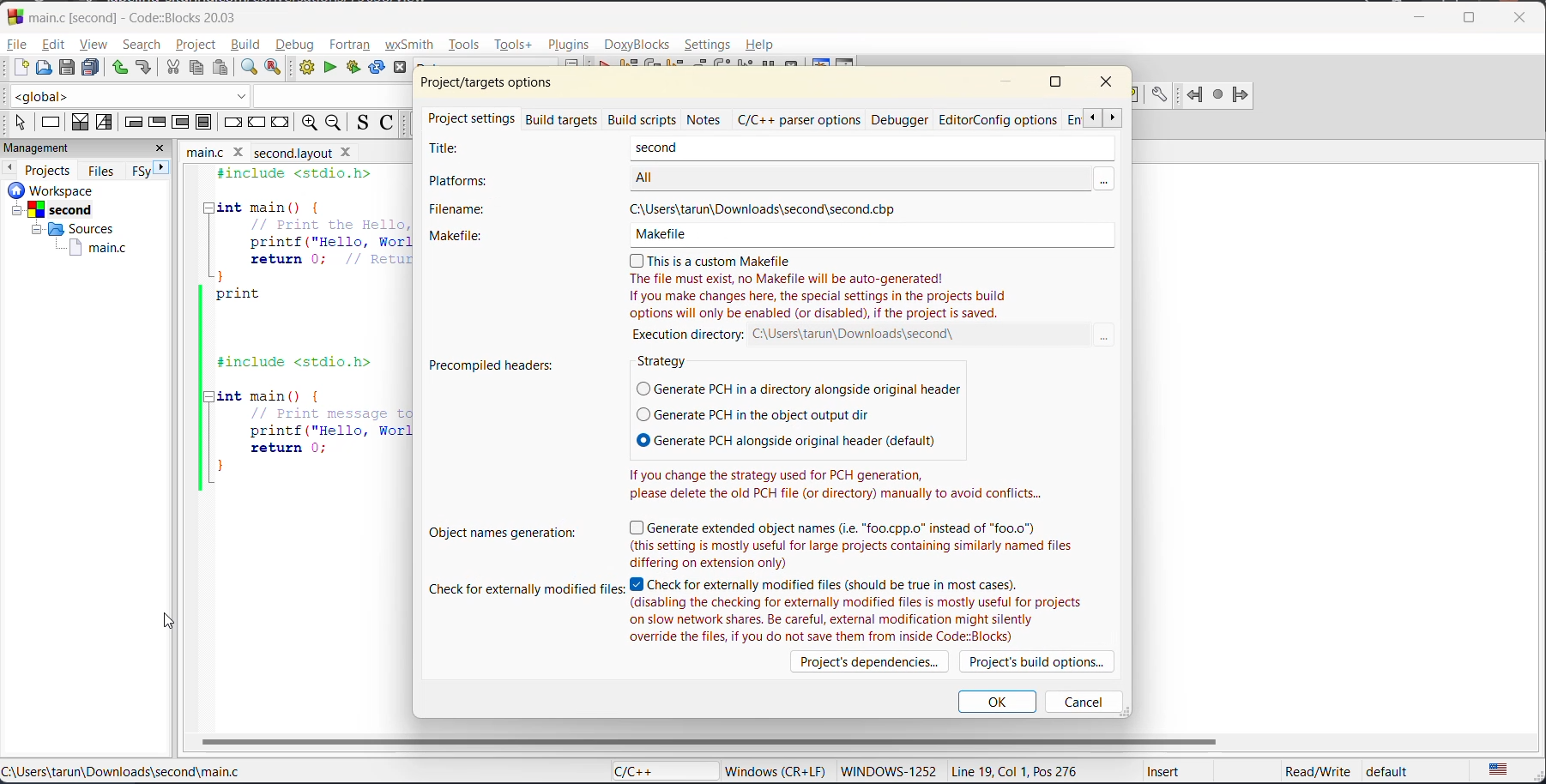 This screenshot has width=1546, height=784. What do you see at coordinates (516, 47) in the screenshot?
I see `tools+` at bounding box center [516, 47].